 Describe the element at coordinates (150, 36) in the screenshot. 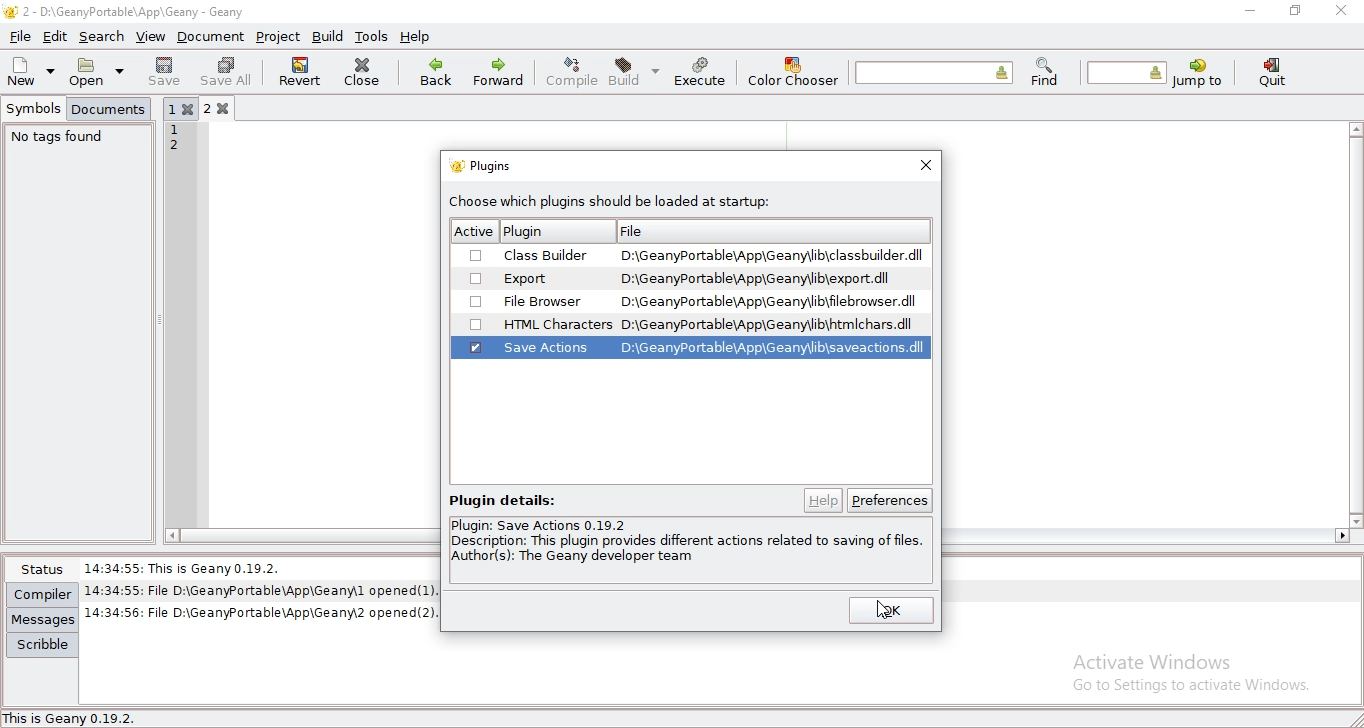

I see `view` at that location.